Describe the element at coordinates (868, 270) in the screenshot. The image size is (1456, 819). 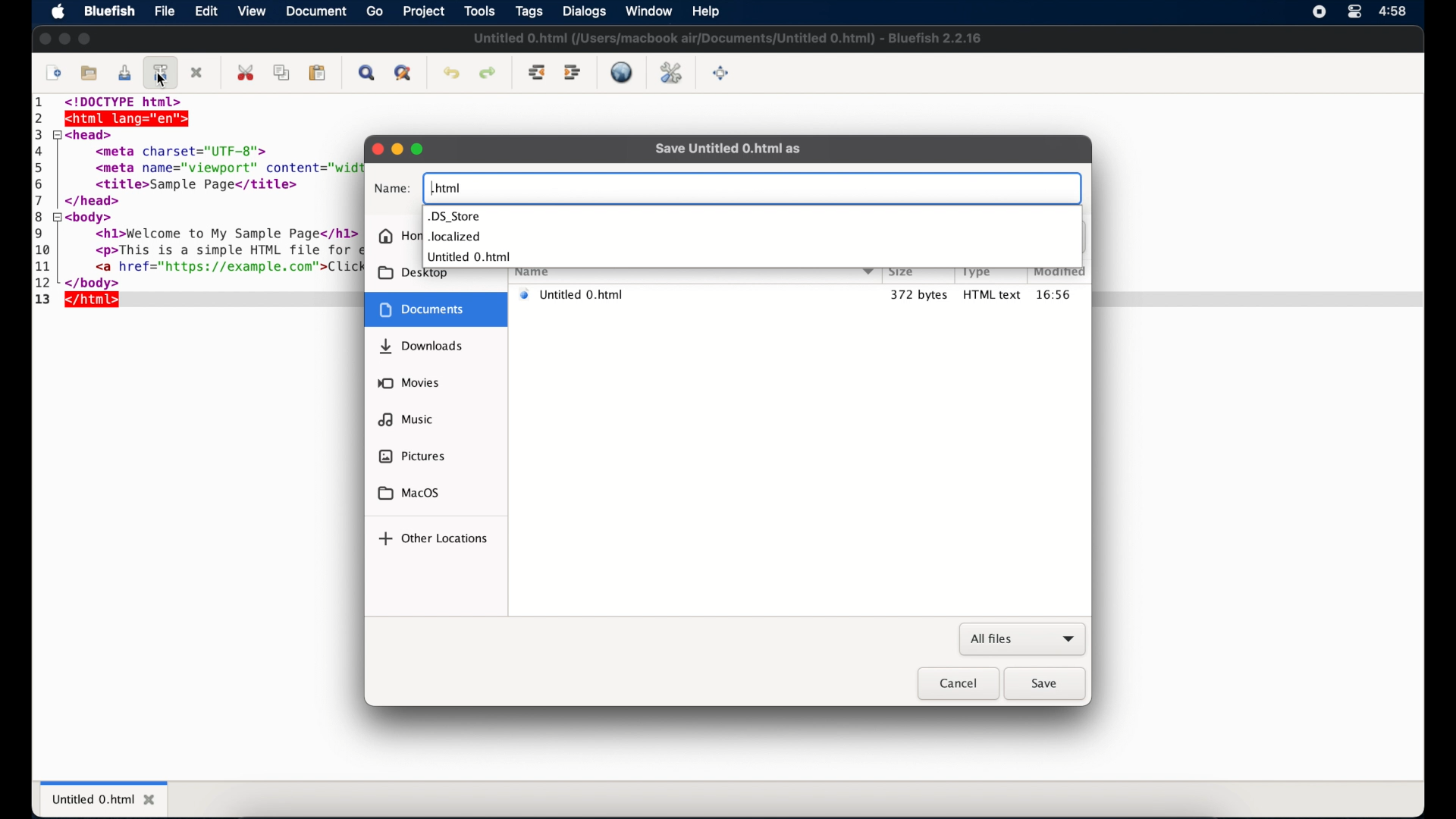
I see `dropdown` at that location.